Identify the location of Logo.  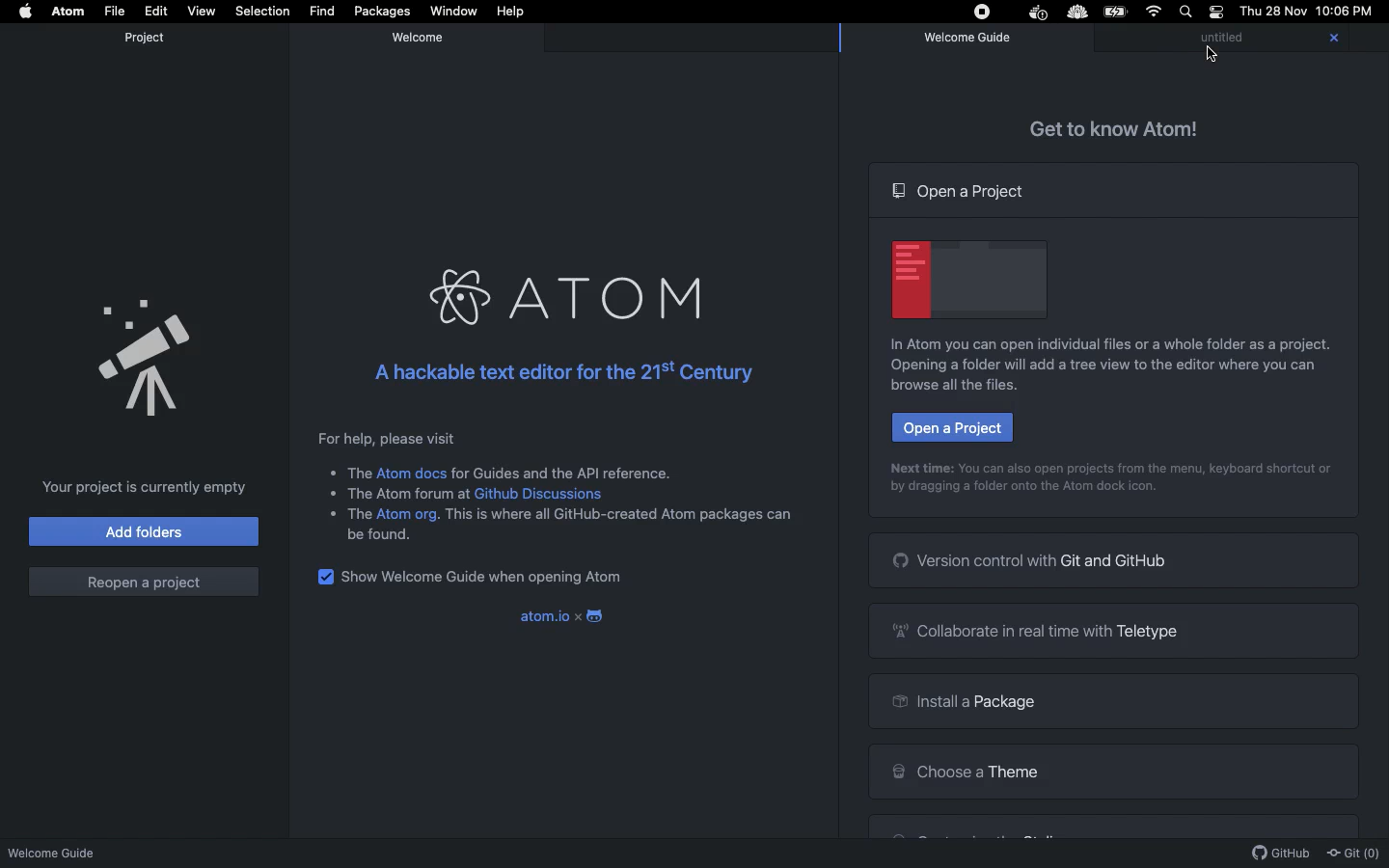
(593, 613).